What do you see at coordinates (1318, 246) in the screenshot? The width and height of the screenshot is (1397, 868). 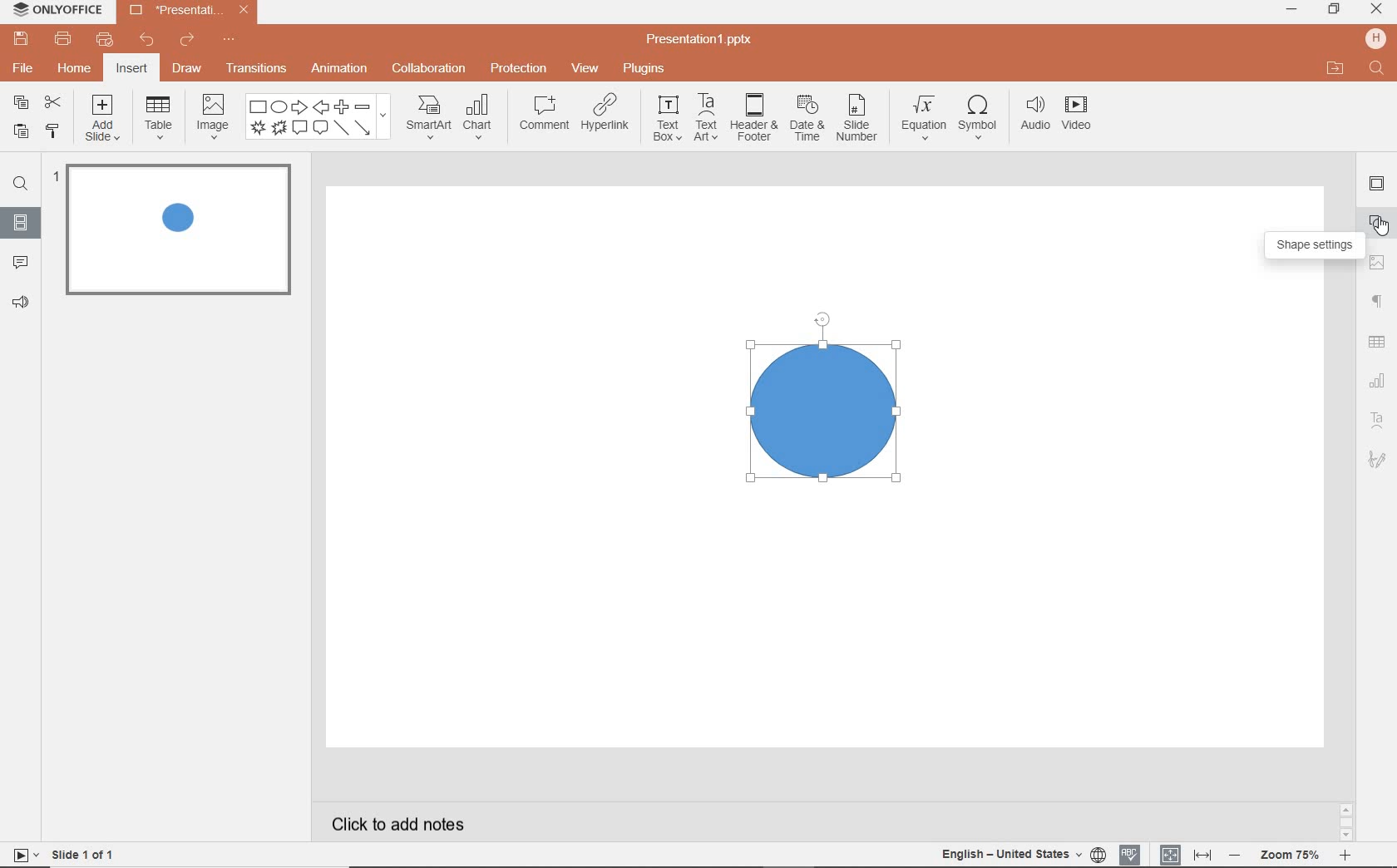 I see `shape settings` at bounding box center [1318, 246].